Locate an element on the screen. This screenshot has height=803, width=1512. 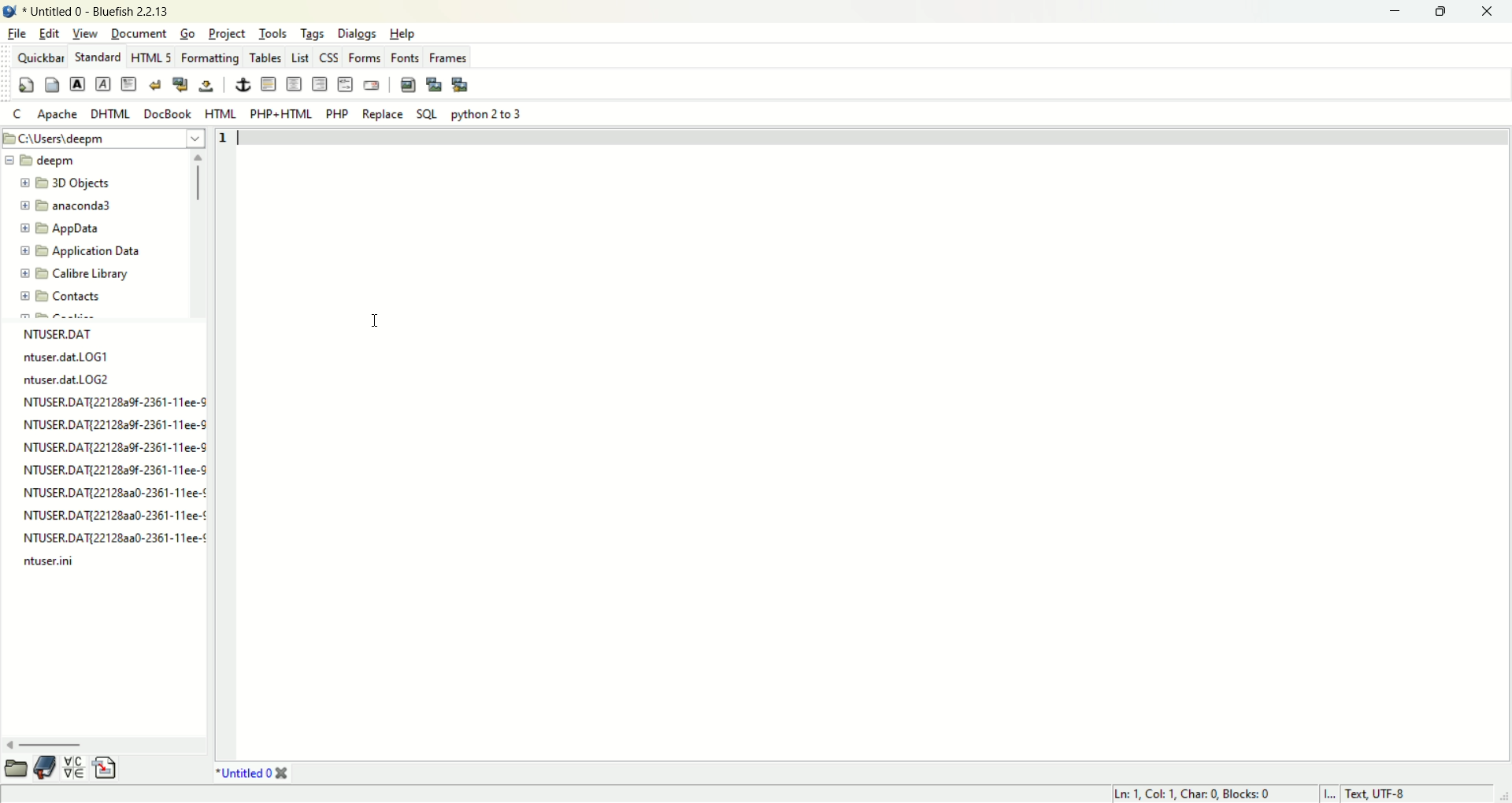
contacts is located at coordinates (61, 299).